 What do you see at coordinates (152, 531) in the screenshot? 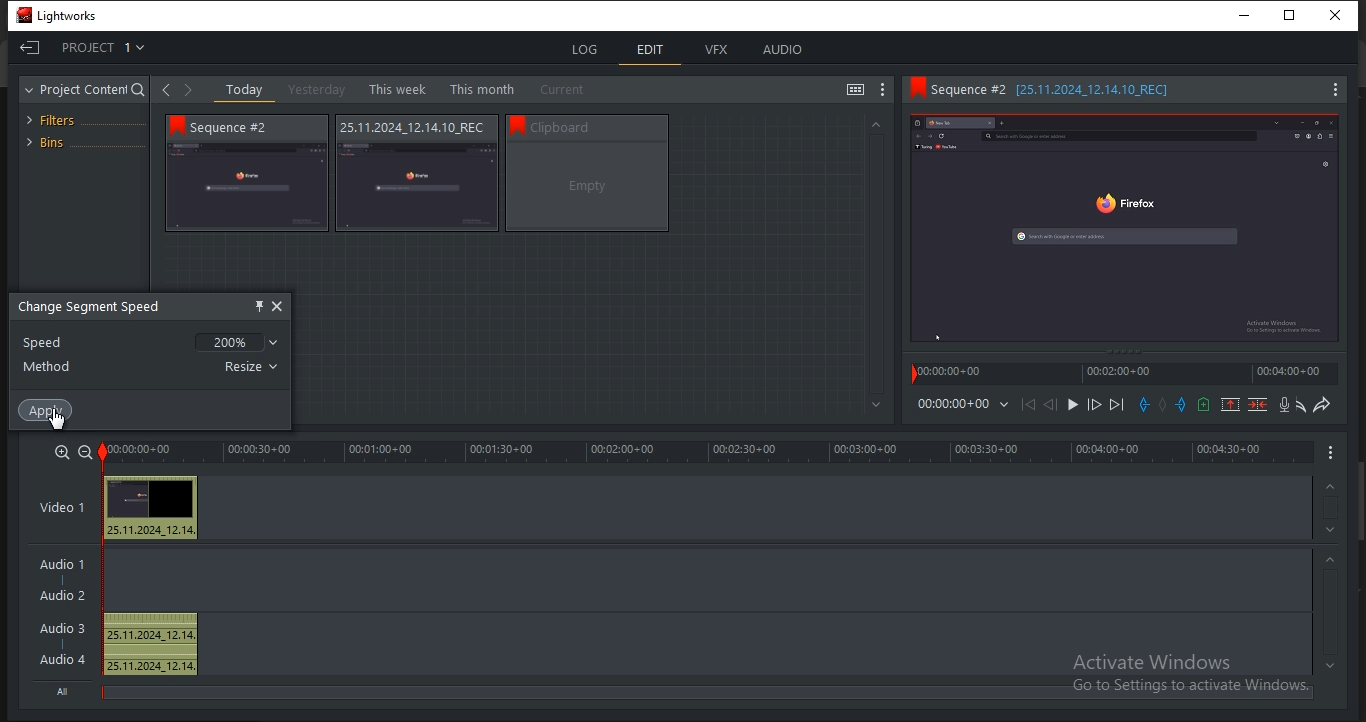
I see `25.11.2024_12.14` at bounding box center [152, 531].